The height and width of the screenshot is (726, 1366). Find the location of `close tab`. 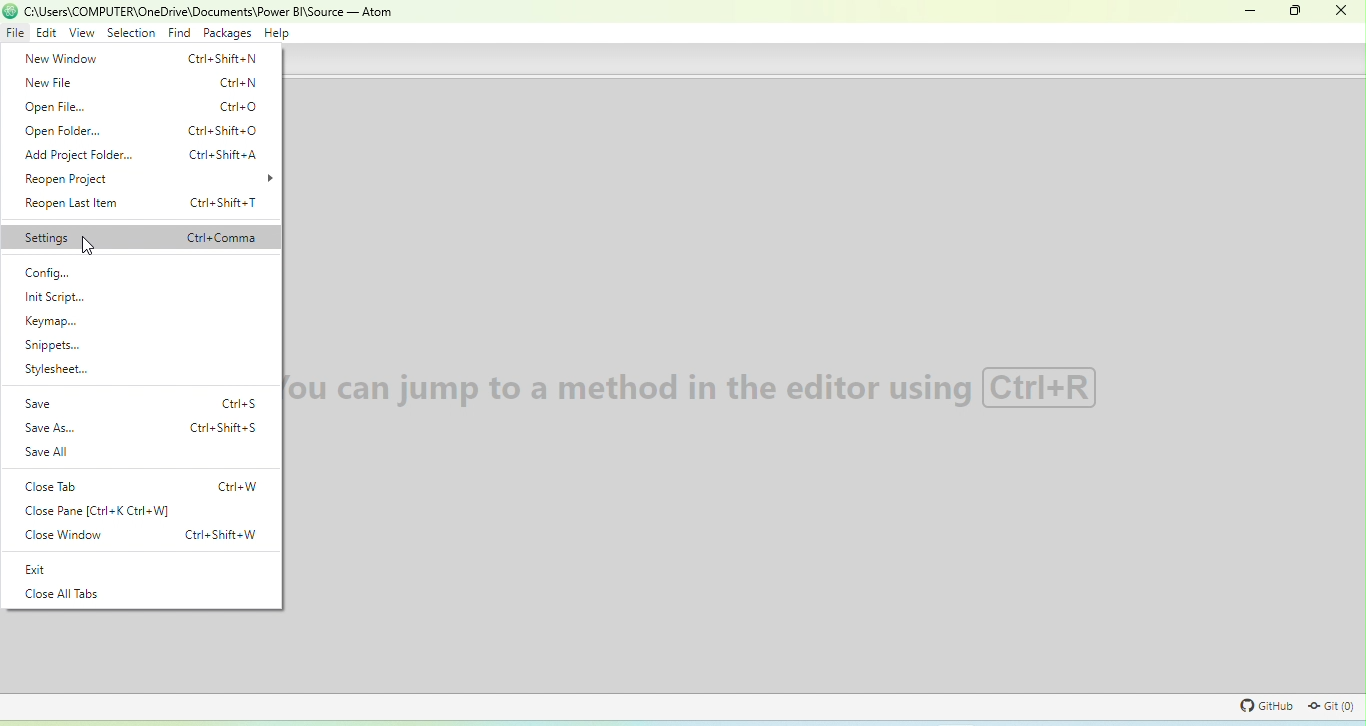

close tab is located at coordinates (140, 485).